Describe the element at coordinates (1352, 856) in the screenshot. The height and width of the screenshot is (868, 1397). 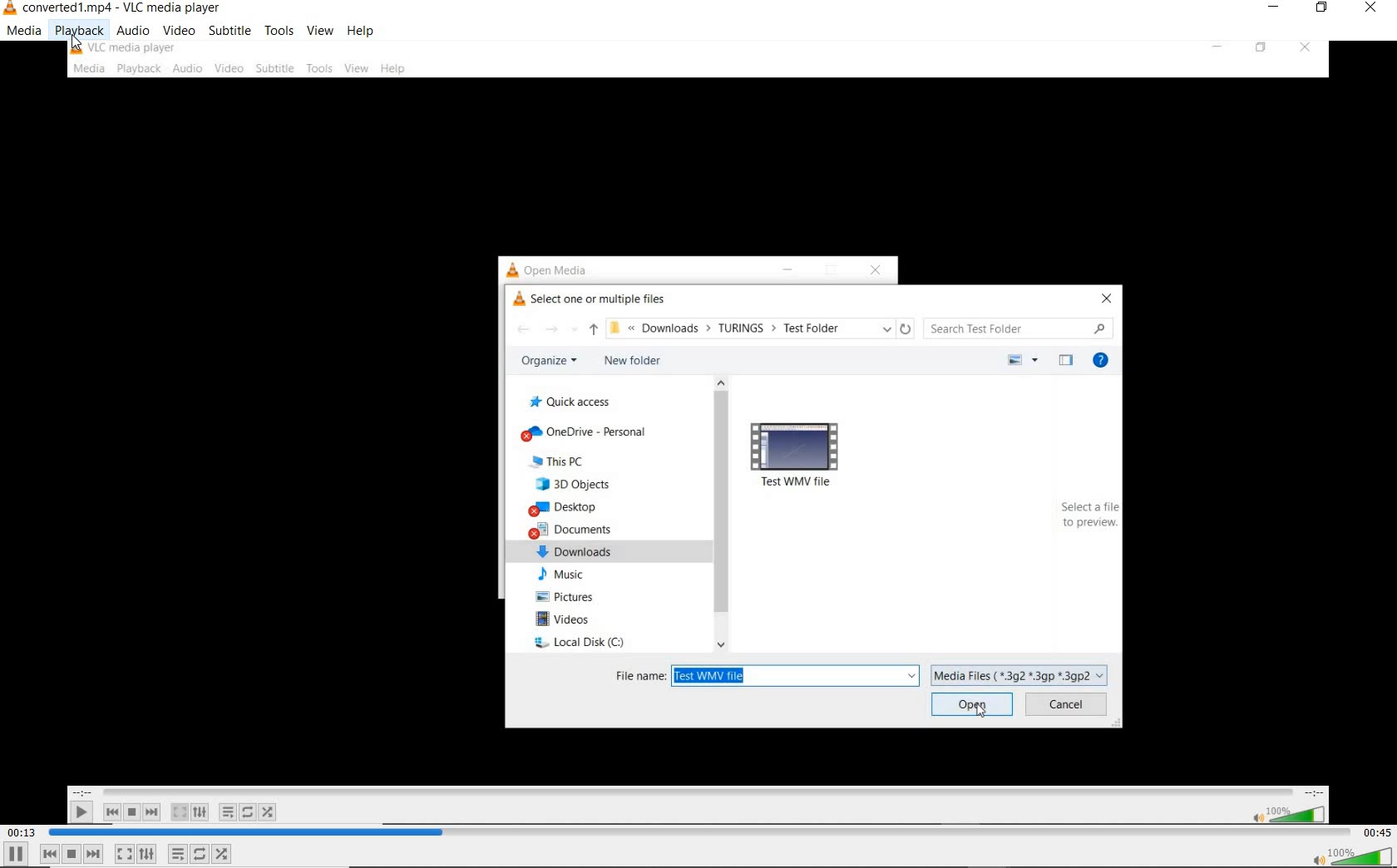
I see `volume button` at that location.